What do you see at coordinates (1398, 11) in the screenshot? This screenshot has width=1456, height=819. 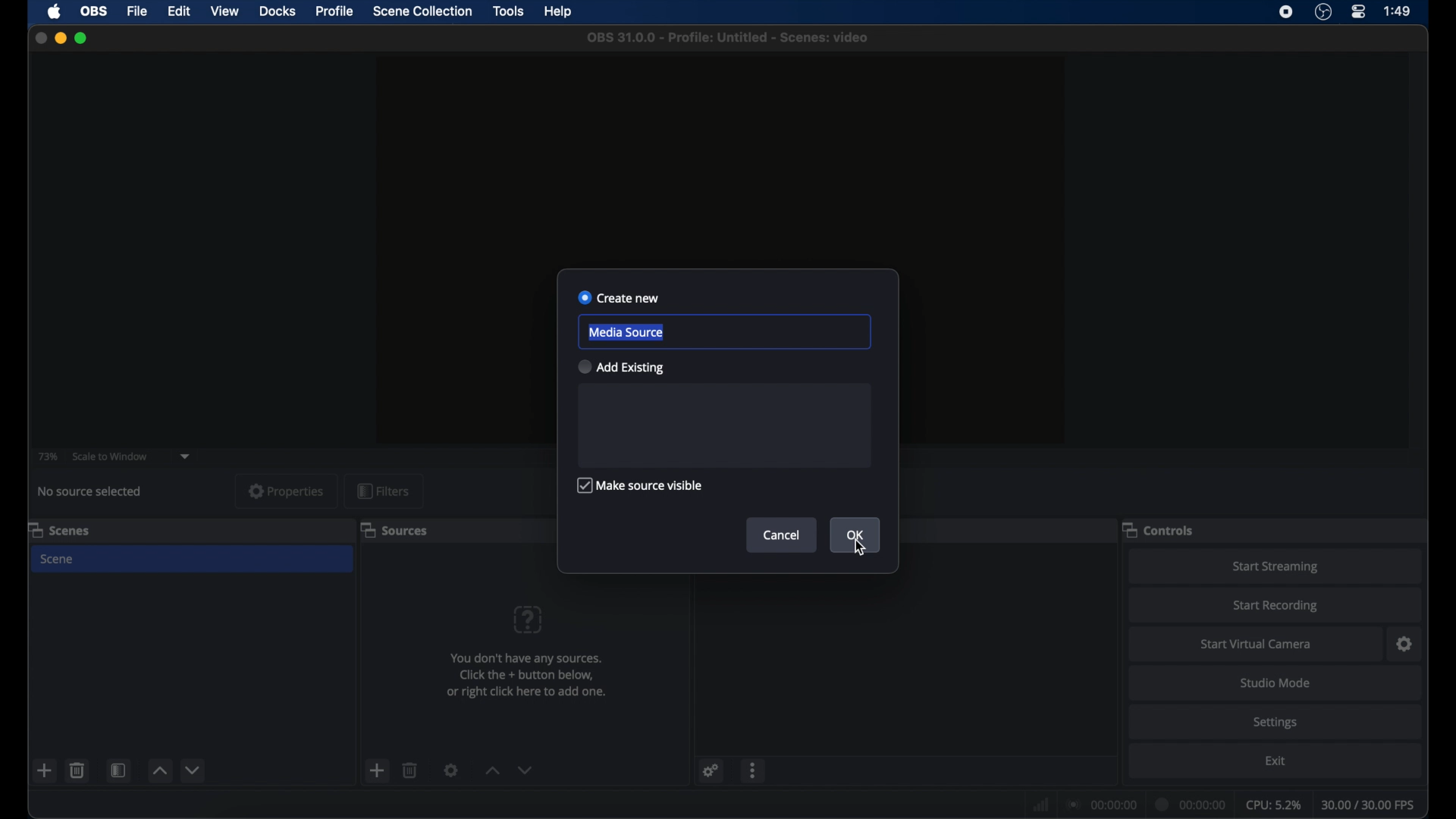 I see `time` at bounding box center [1398, 11].